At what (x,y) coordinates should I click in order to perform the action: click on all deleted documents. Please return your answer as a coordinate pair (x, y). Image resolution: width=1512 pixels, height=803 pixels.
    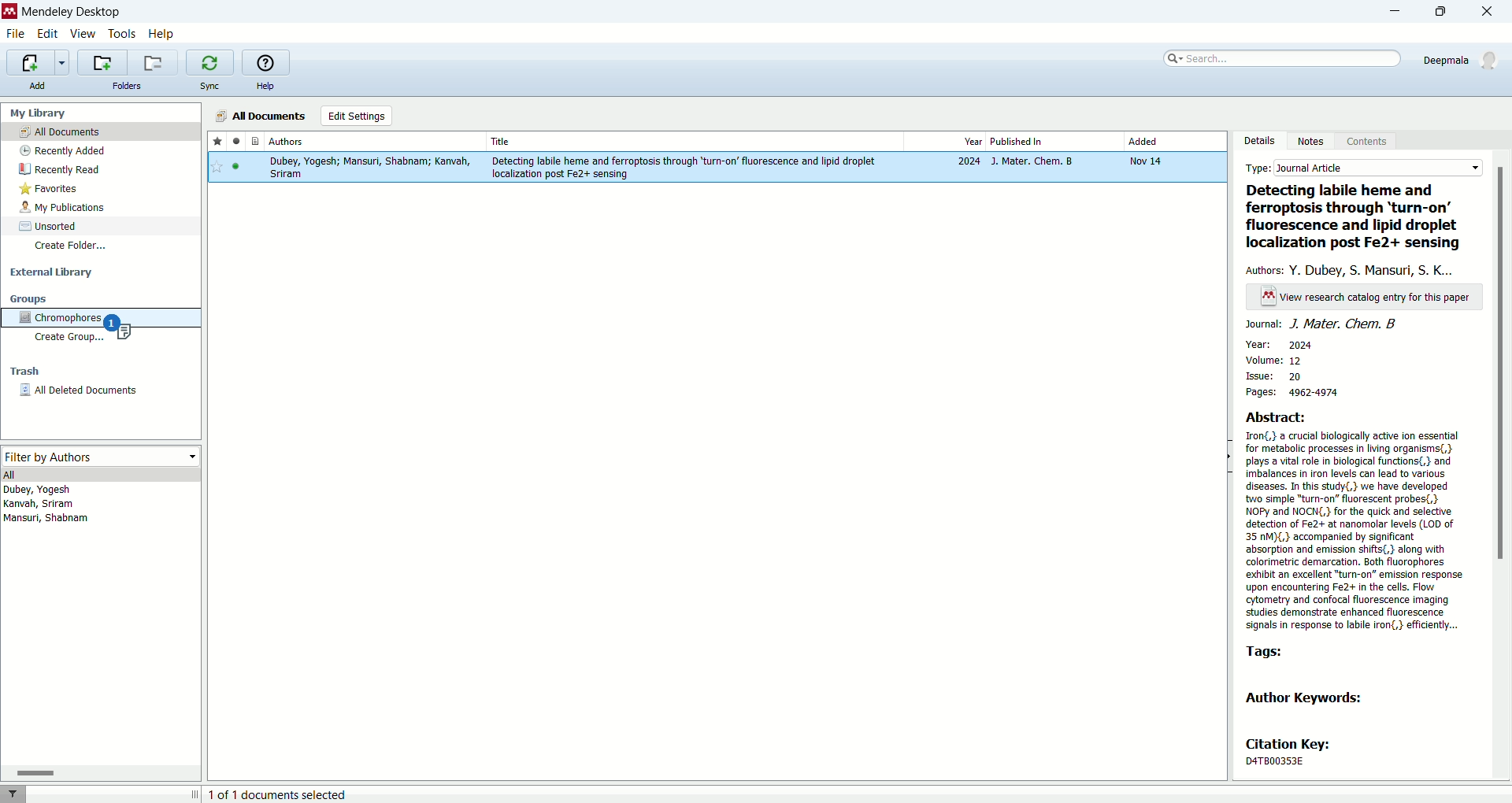
    Looking at the image, I should click on (94, 394).